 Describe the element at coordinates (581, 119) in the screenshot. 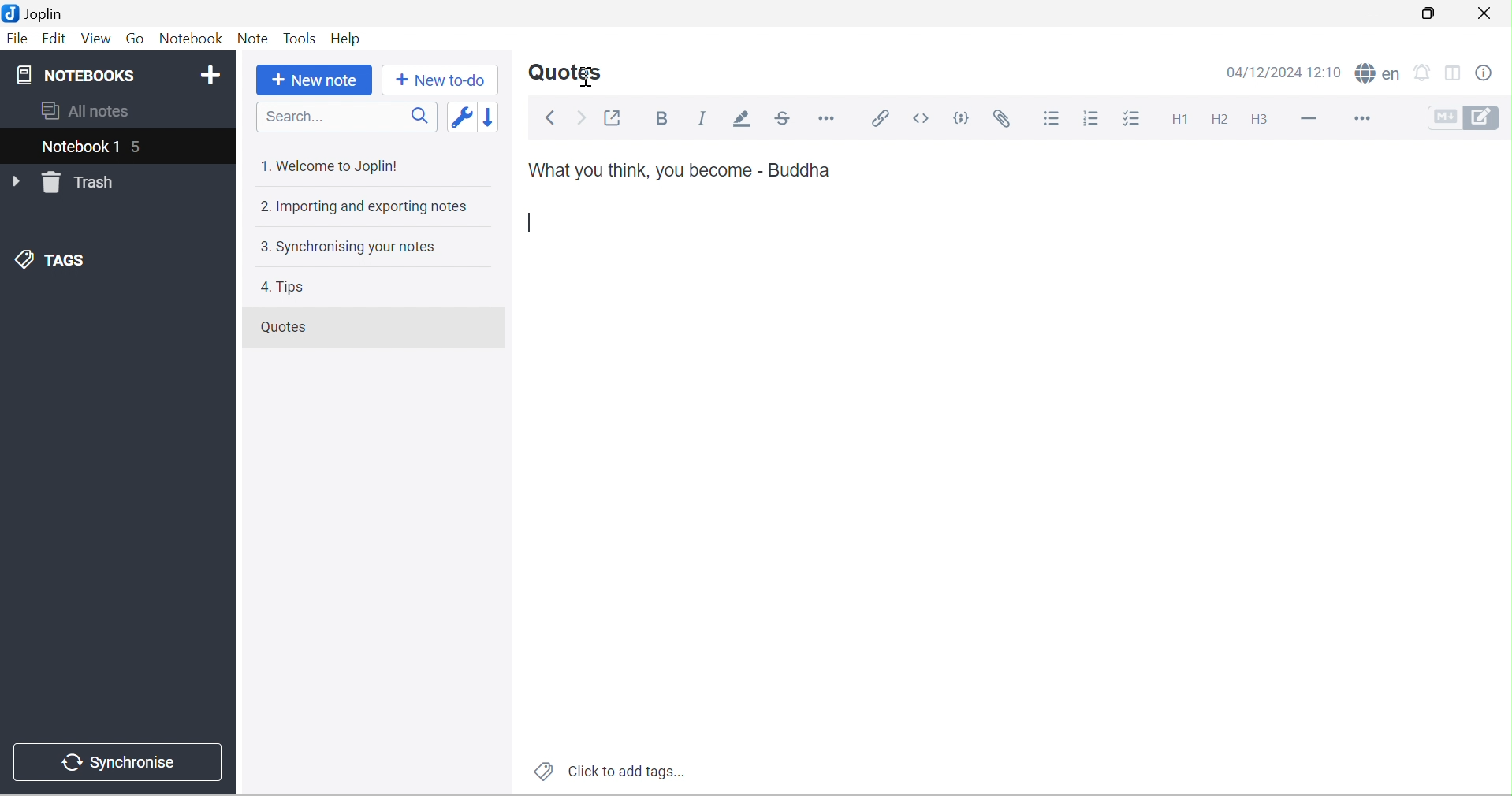

I see `Forward` at that location.